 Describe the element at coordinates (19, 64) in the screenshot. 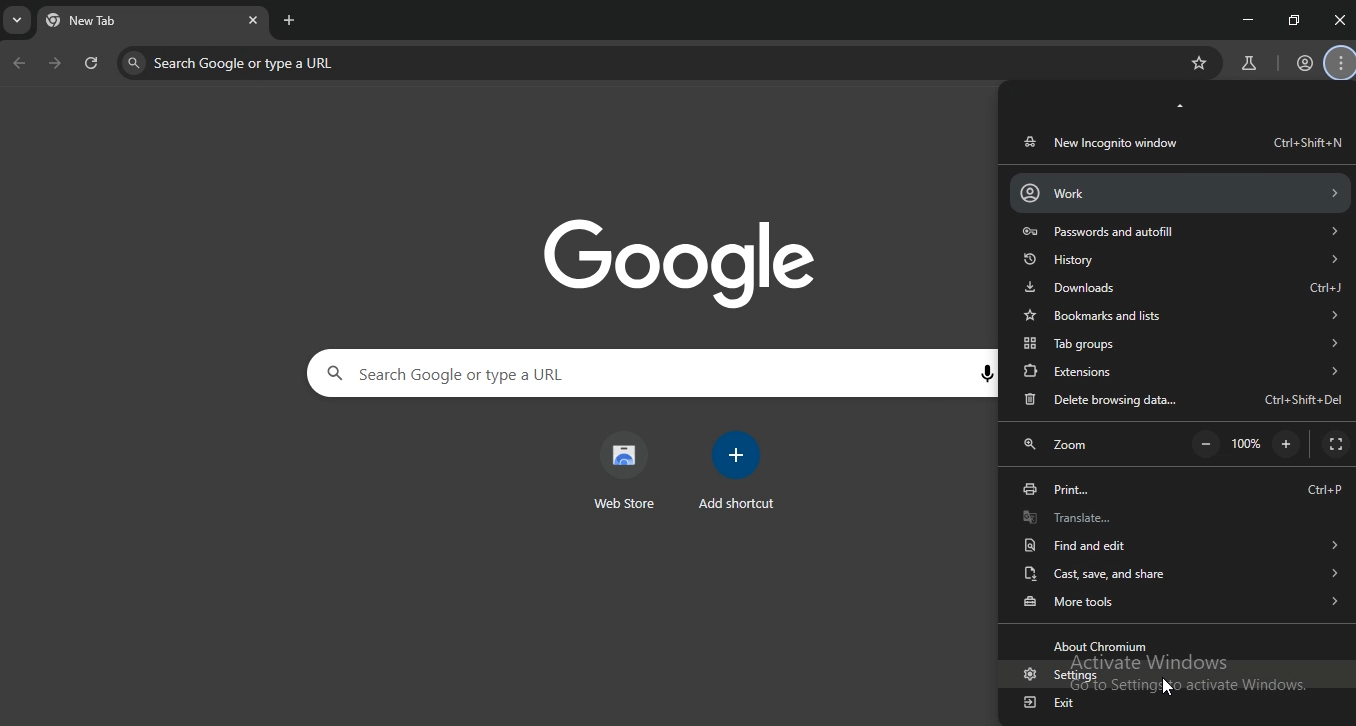

I see `click to go back` at that location.